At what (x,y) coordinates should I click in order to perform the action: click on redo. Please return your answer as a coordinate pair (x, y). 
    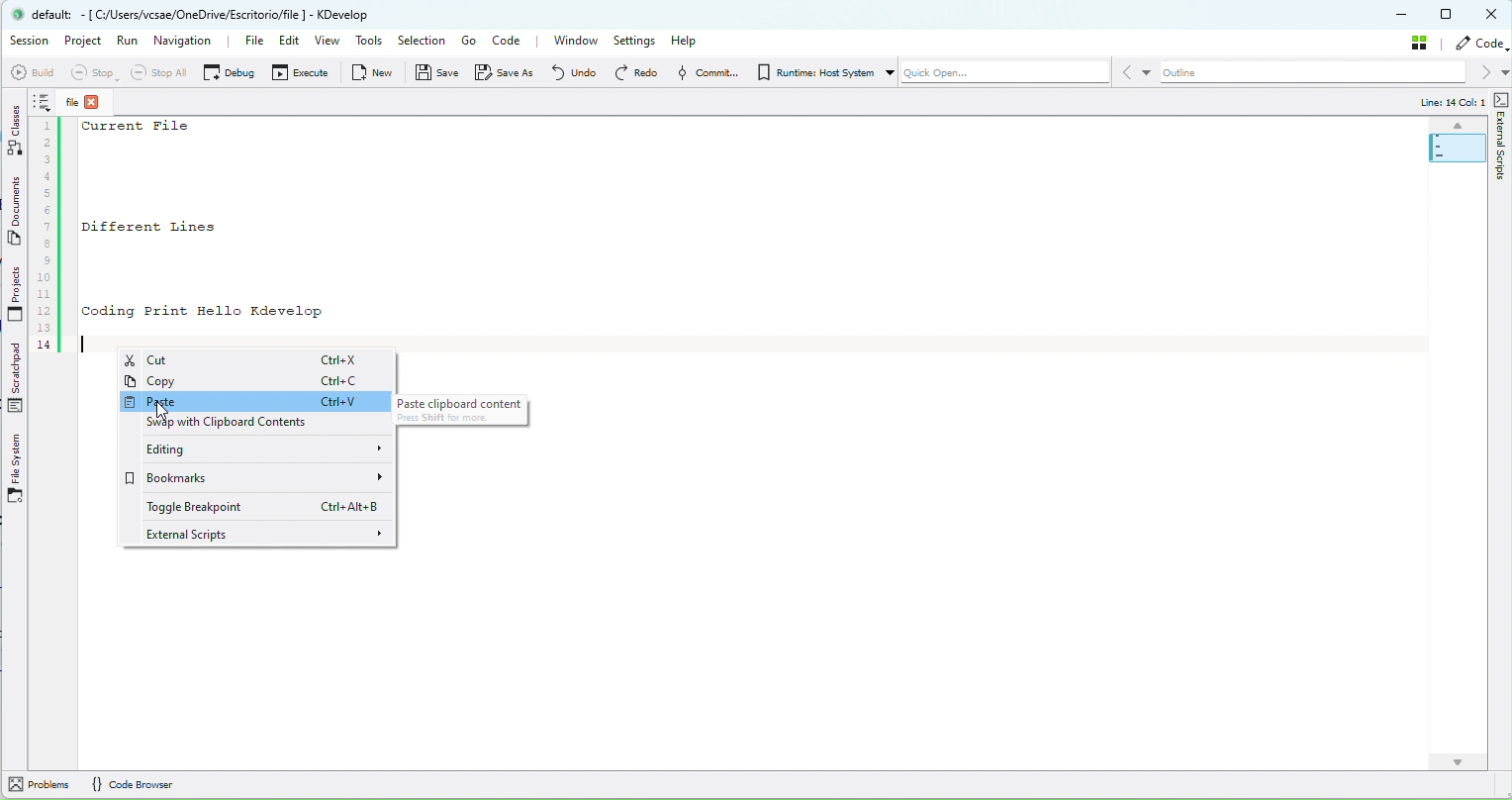
    Looking at the image, I should click on (635, 72).